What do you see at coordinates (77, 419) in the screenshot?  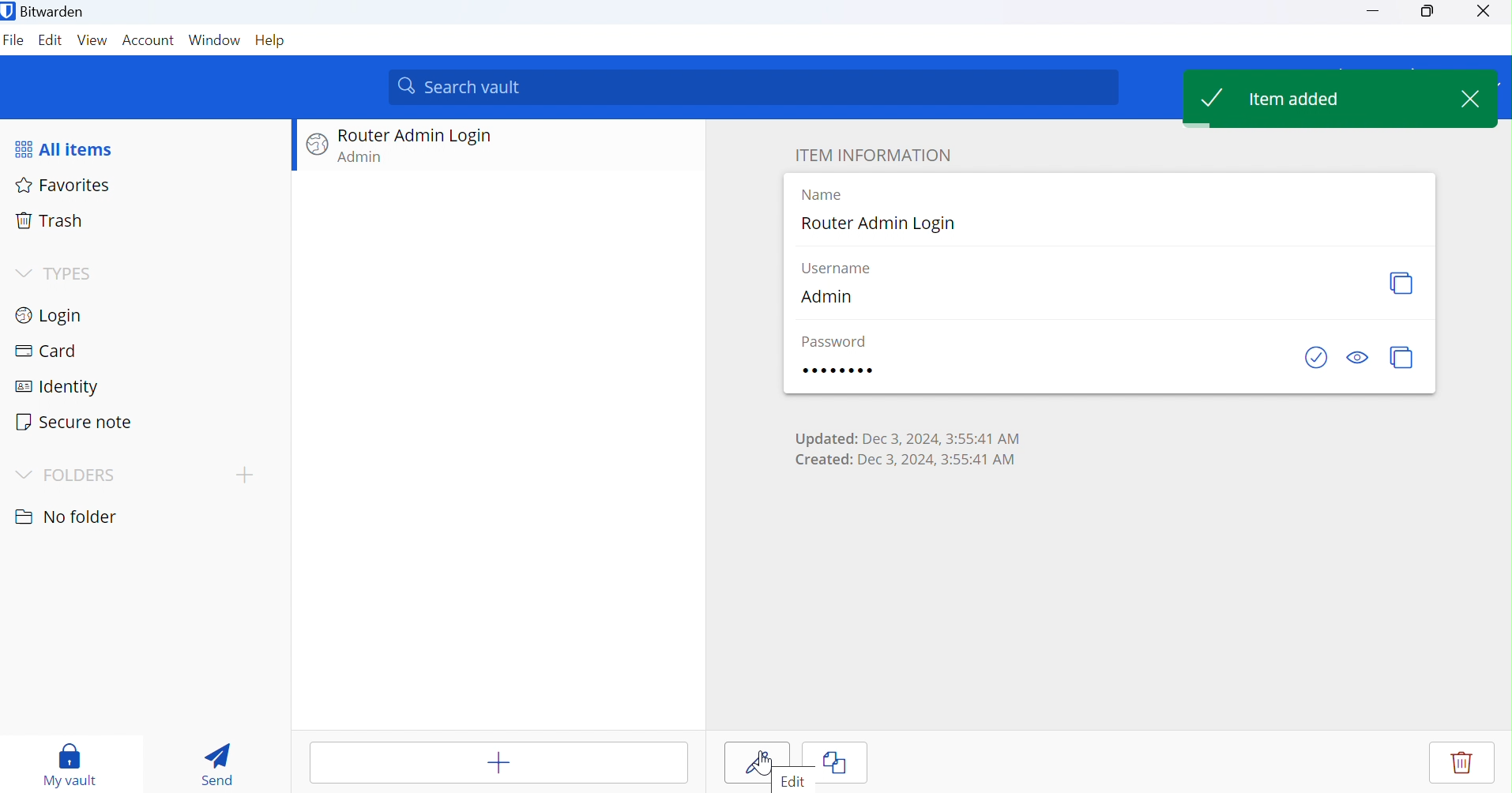 I see `Secure note` at bounding box center [77, 419].